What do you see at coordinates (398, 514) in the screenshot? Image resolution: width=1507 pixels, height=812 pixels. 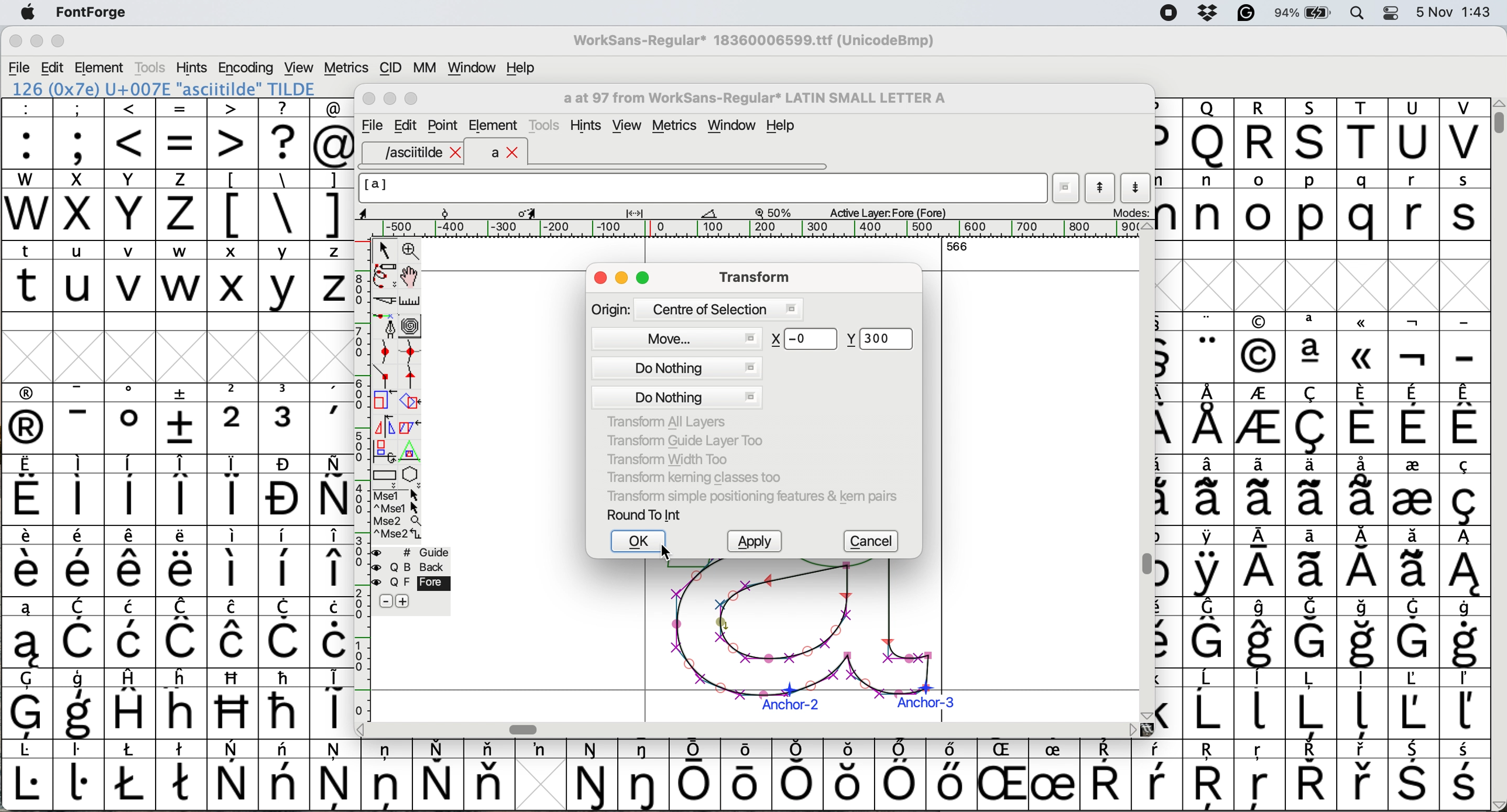 I see `more options` at bounding box center [398, 514].